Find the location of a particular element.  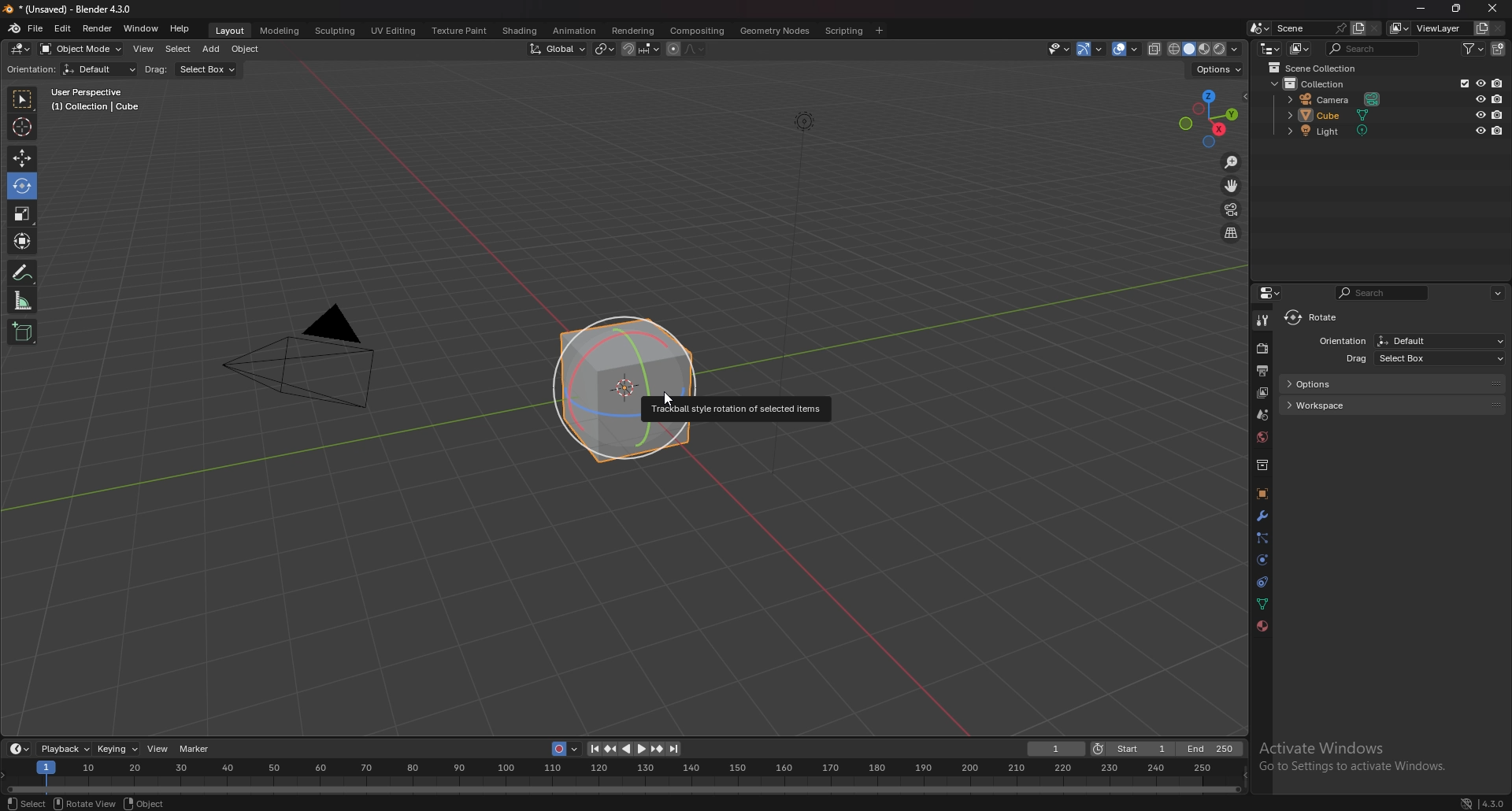

collection is located at coordinates (1316, 83).